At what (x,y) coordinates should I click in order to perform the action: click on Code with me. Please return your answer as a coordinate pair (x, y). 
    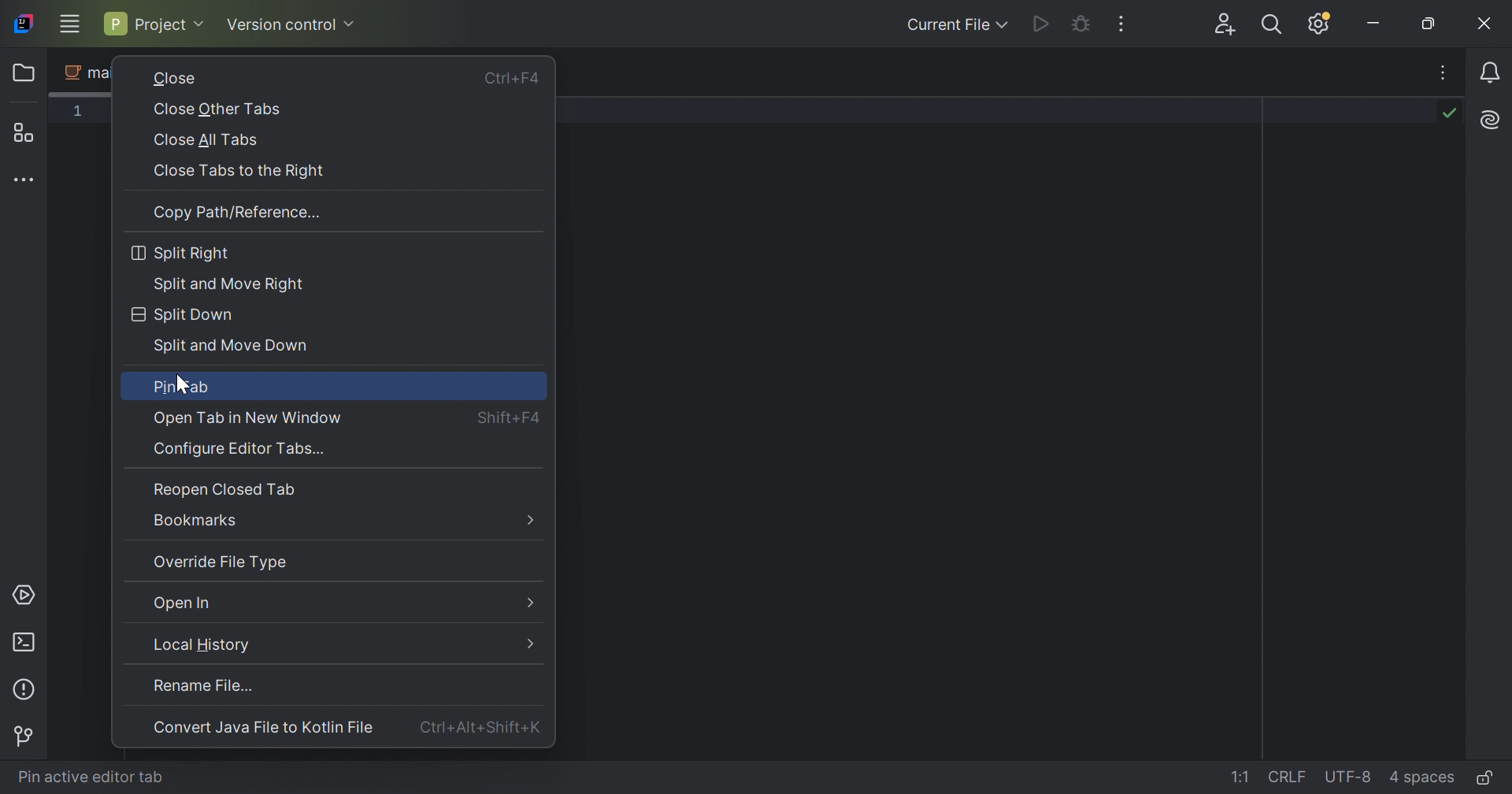
    Looking at the image, I should click on (1228, 26).